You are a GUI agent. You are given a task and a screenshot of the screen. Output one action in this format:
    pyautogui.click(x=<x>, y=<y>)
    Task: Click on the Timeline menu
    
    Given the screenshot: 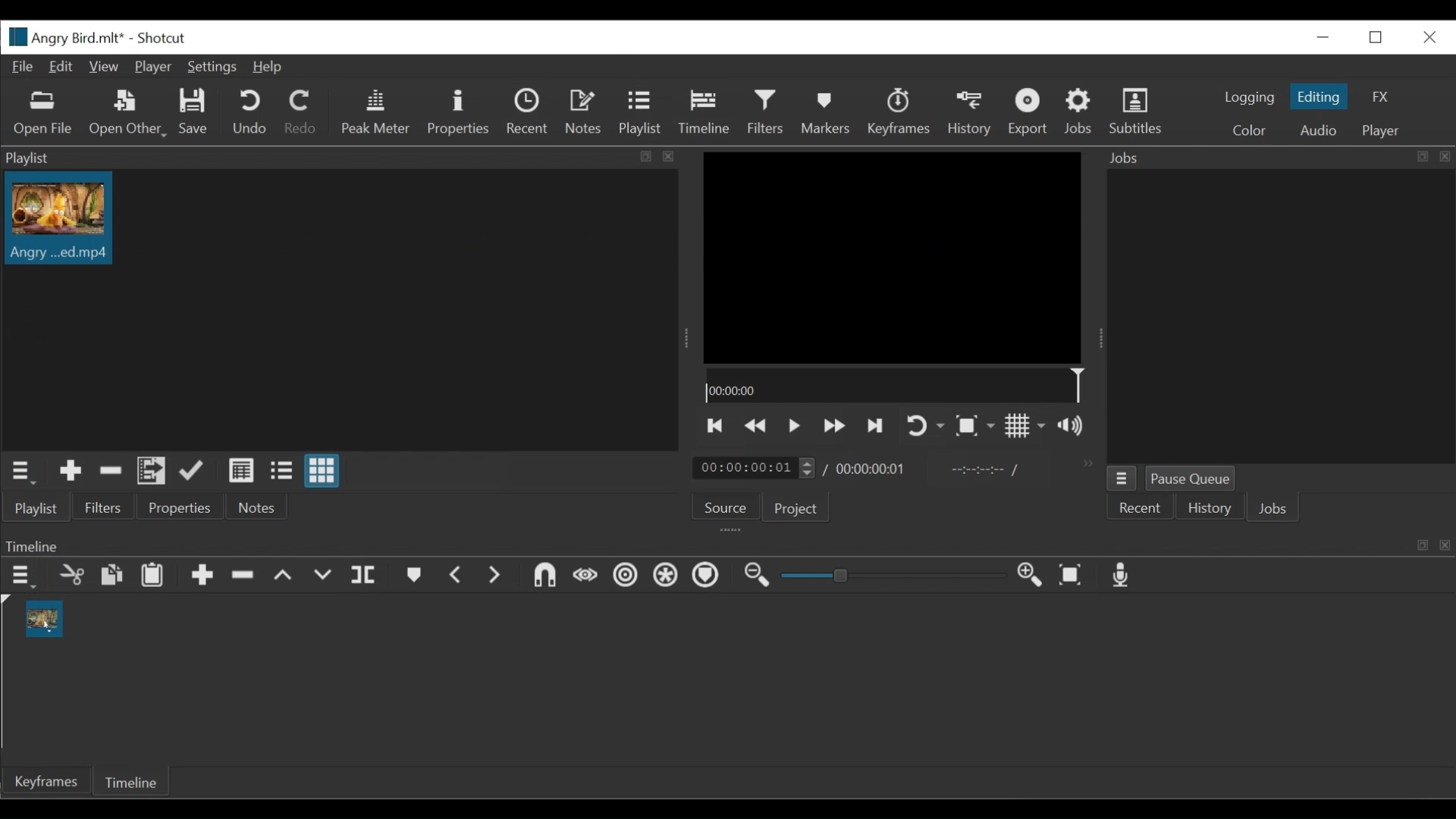 What is the action you would take?
    pyautogui.click(x=24, y=576)
    